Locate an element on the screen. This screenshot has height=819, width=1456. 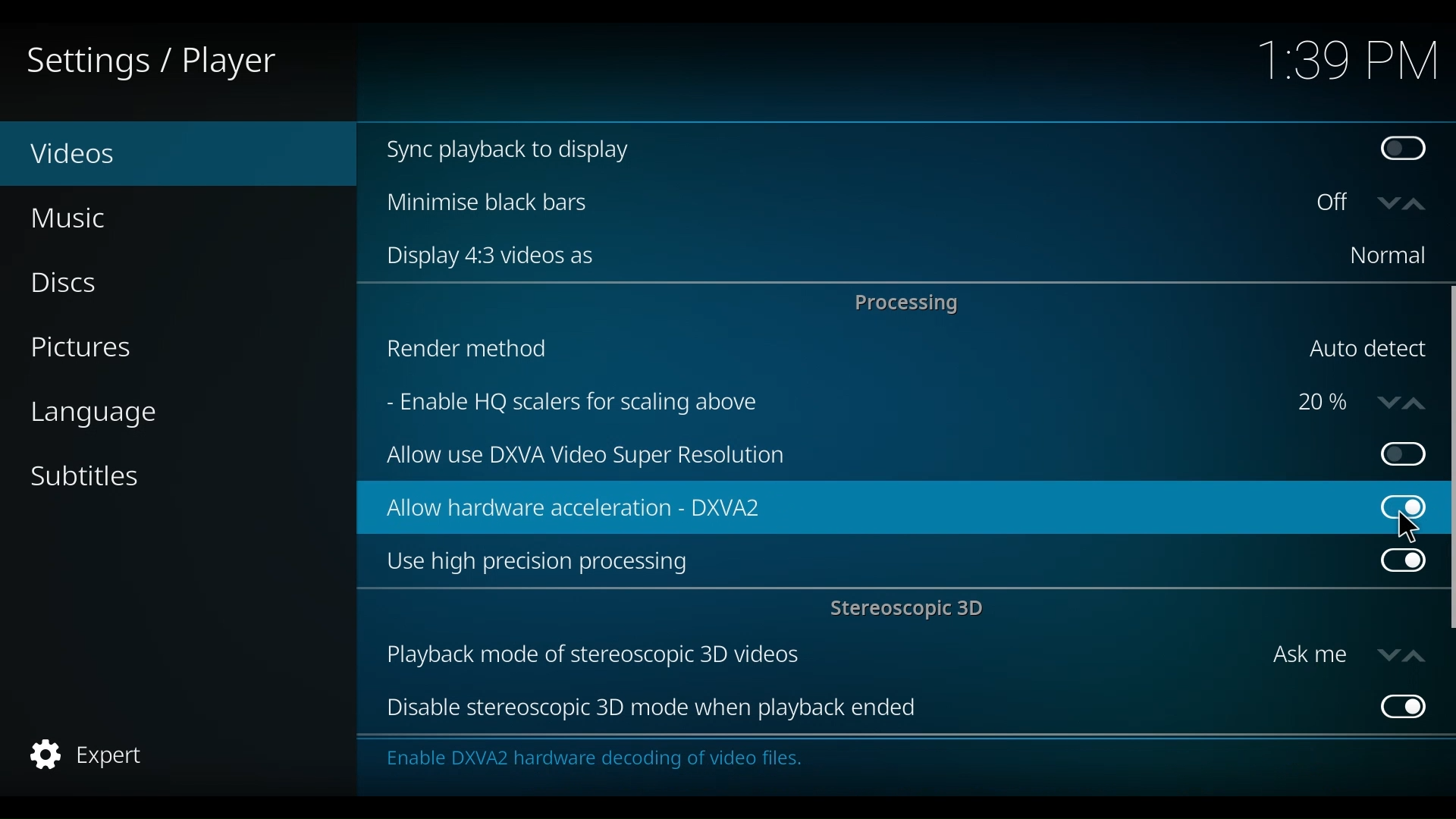
Videos is located at coordinates (106, 155).